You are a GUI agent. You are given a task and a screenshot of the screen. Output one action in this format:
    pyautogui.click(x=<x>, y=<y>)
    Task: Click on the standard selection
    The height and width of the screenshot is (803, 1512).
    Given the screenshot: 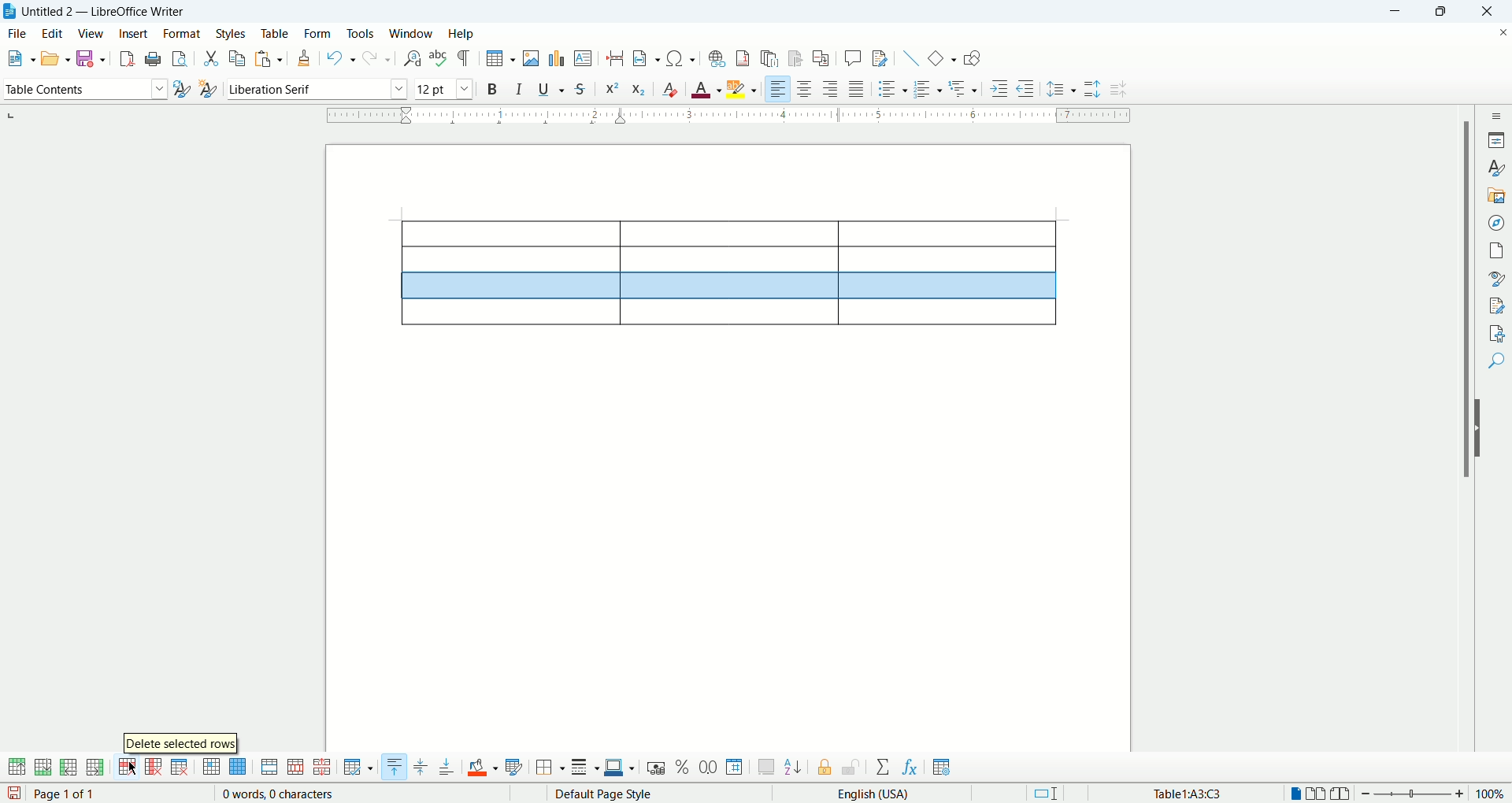 What is the action you would take?
    pyautogui.click(x=1051, y=794)
    